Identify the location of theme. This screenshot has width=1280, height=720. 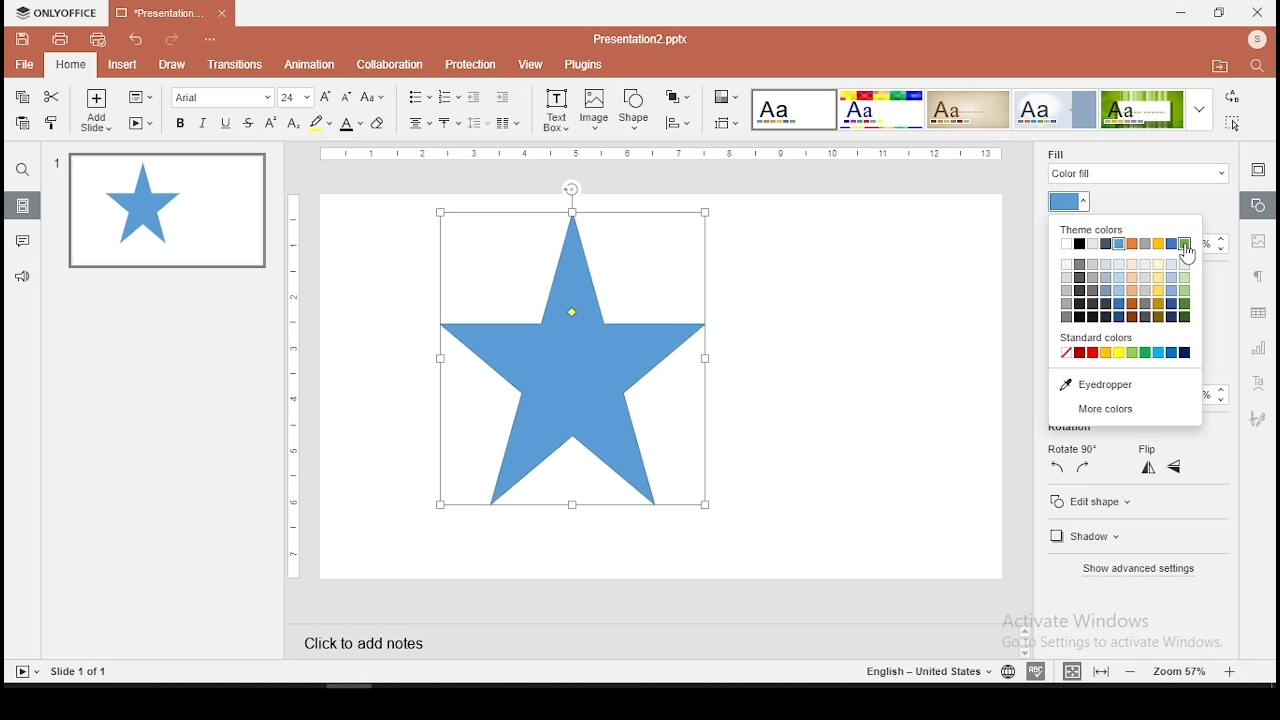
(1160, 109).